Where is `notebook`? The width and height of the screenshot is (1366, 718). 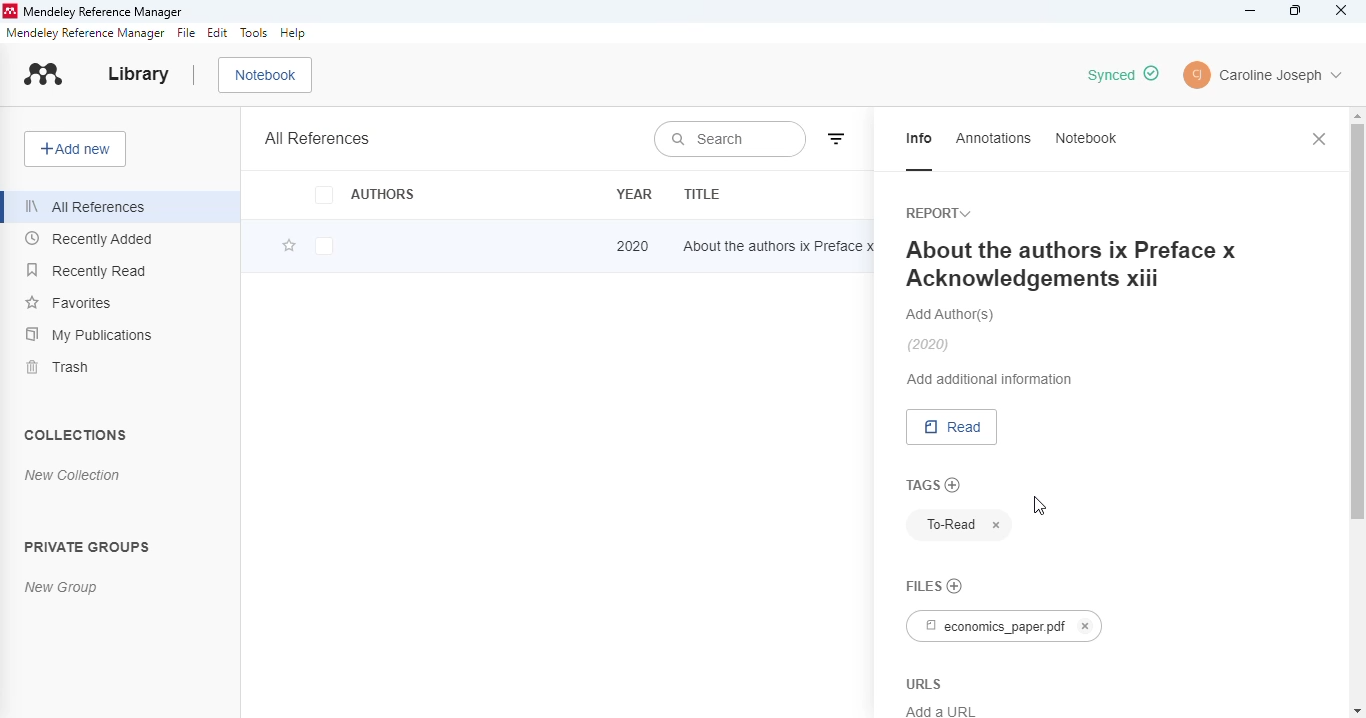
notebook is located at coordinates (1085, 137).